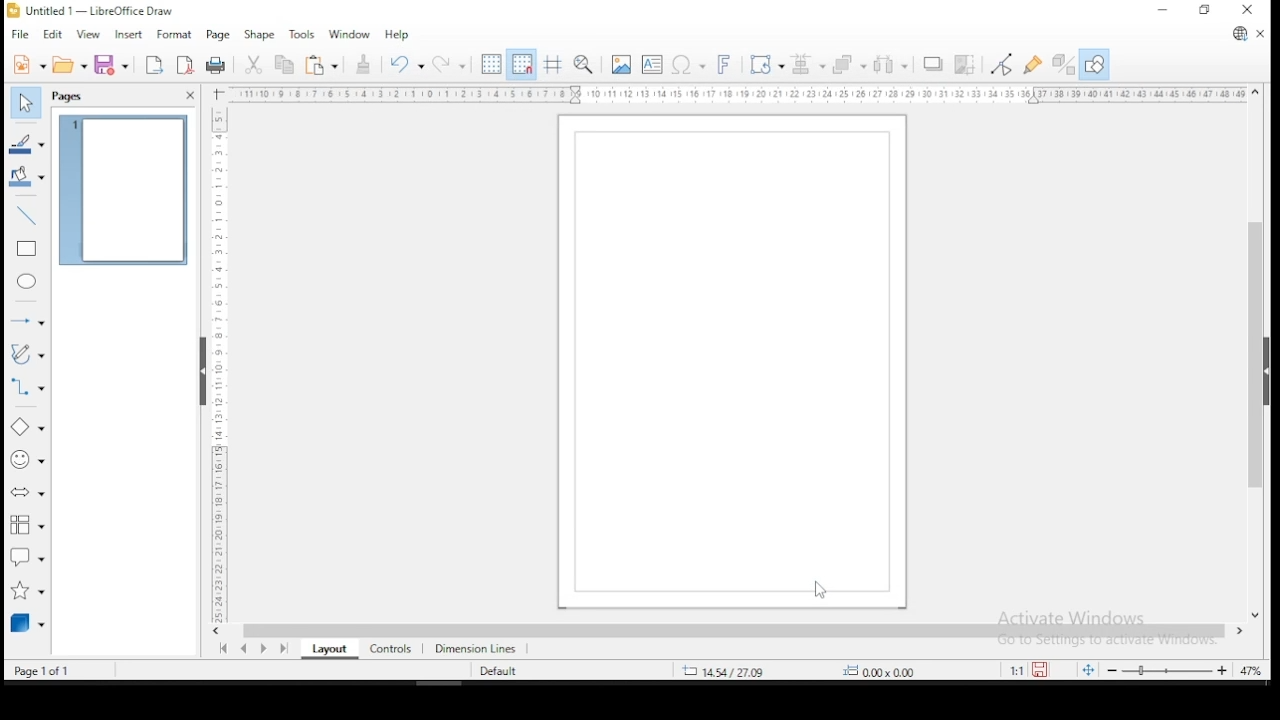 This screenshot has height=720, width=1280. What do you see at coordinates (892, 66) in the screenshot?
I see `select at least three objects to distribute` at bounding box center [892, 66].